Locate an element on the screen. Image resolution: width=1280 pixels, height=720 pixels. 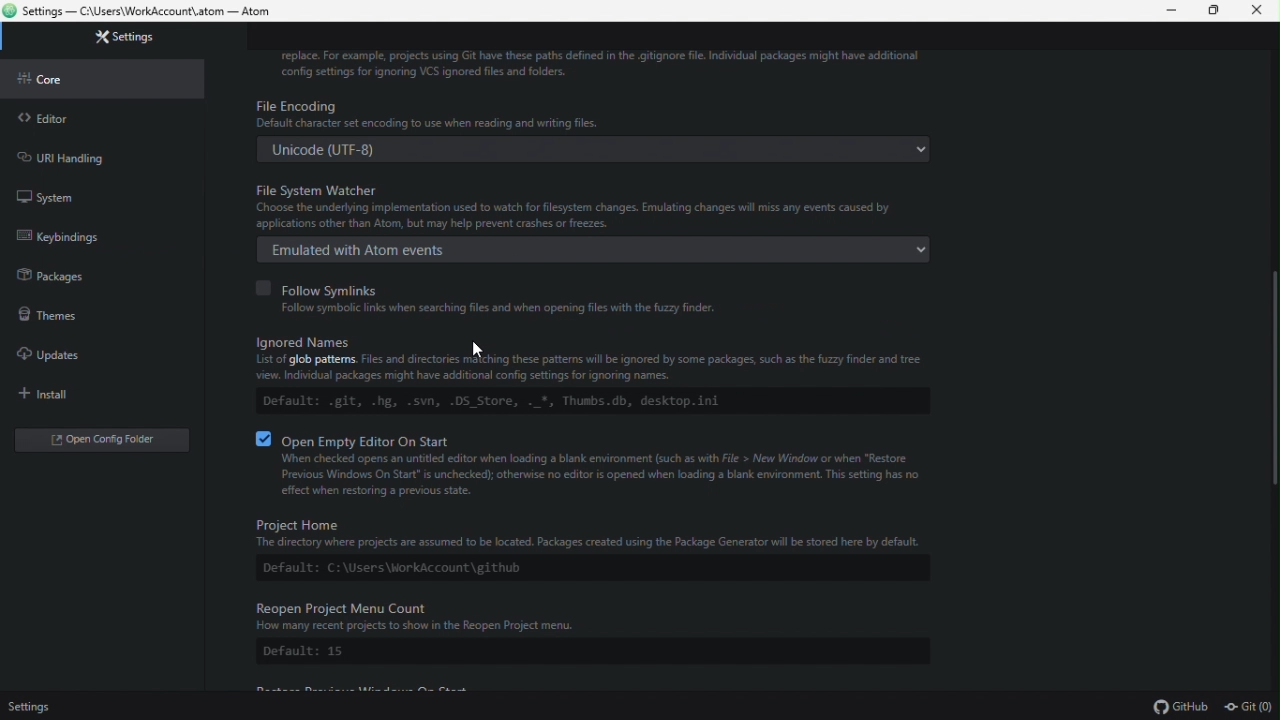
File Encoding Default character set encoding to use when reading and writing files. is located at coordinates (592, 113).